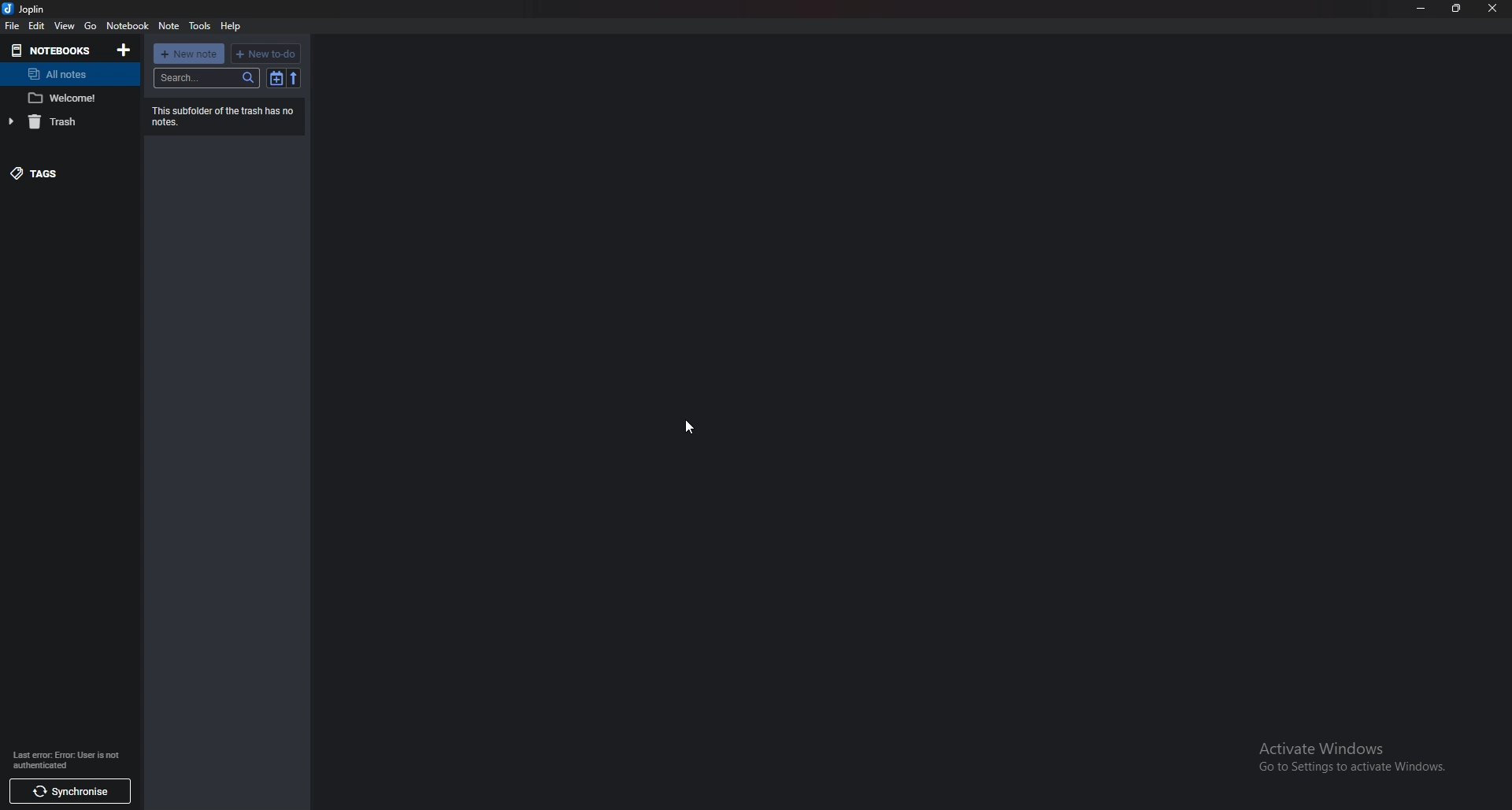 This screenshot has height=810, width=1512. Describe the element at coordinates (294, 78) in the screenshot. I see `reverse sort order` at that location.